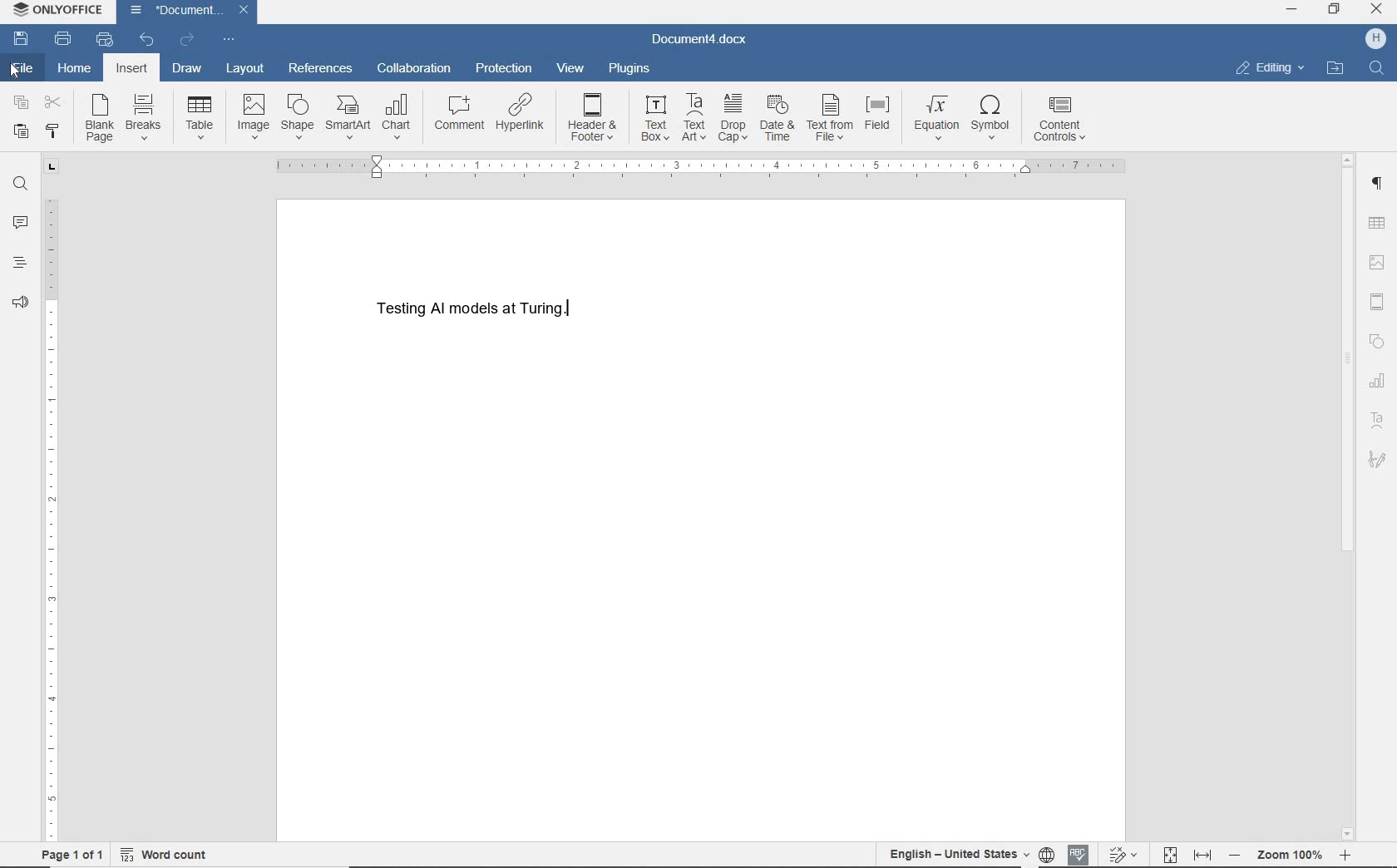  Describe the element at coordinates (14, 74) in the screenshot. I see `Pointer` at that location.